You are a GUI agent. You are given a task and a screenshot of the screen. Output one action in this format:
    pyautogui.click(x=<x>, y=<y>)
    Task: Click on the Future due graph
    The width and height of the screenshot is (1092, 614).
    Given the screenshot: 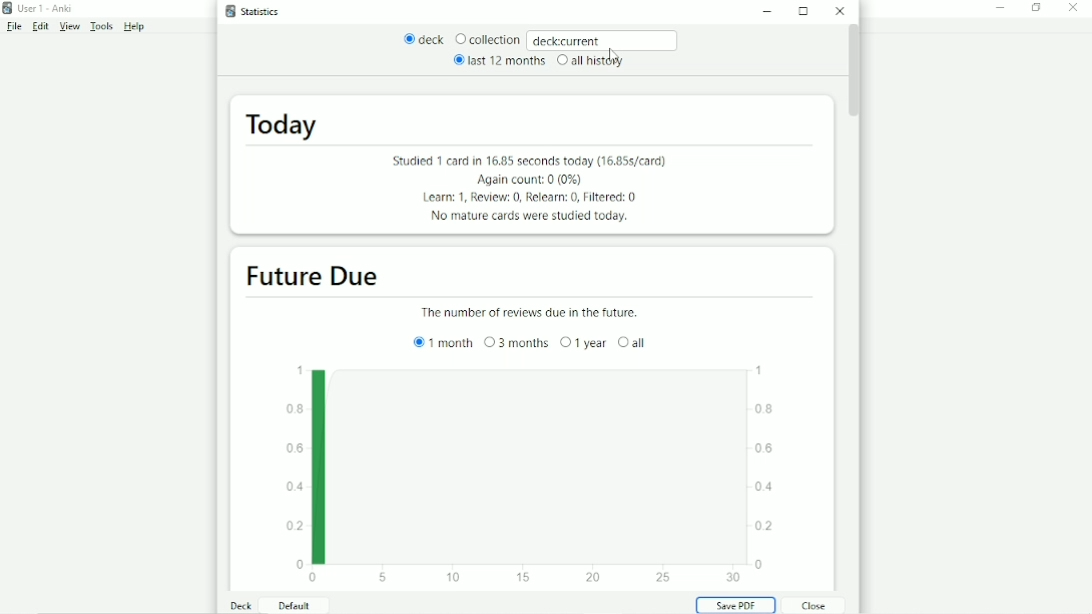 What is the action you would take?
    pyautogui.click(x=528, y=474)
    